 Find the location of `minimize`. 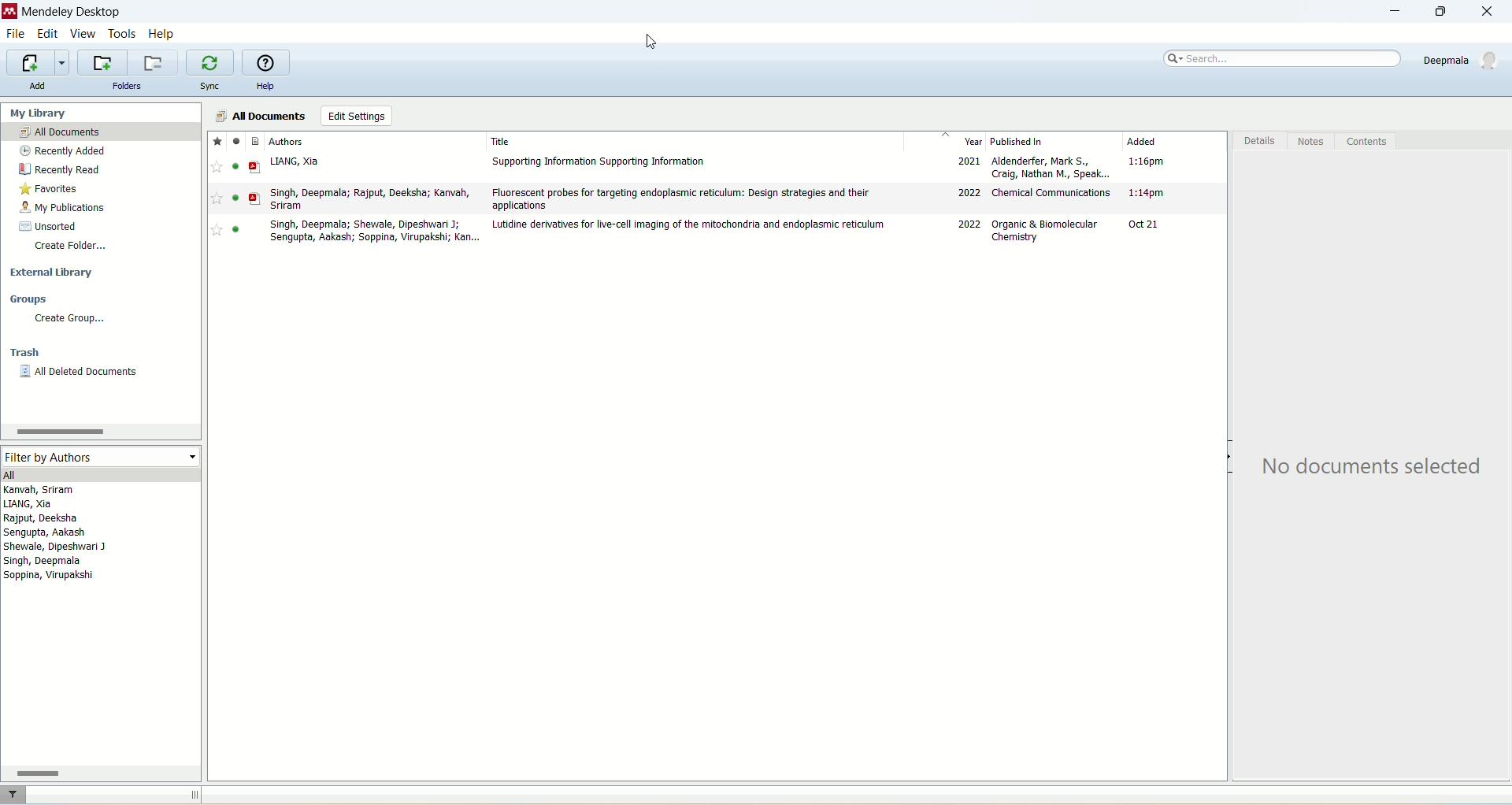

minimize is located at coordinates (1398, 10).